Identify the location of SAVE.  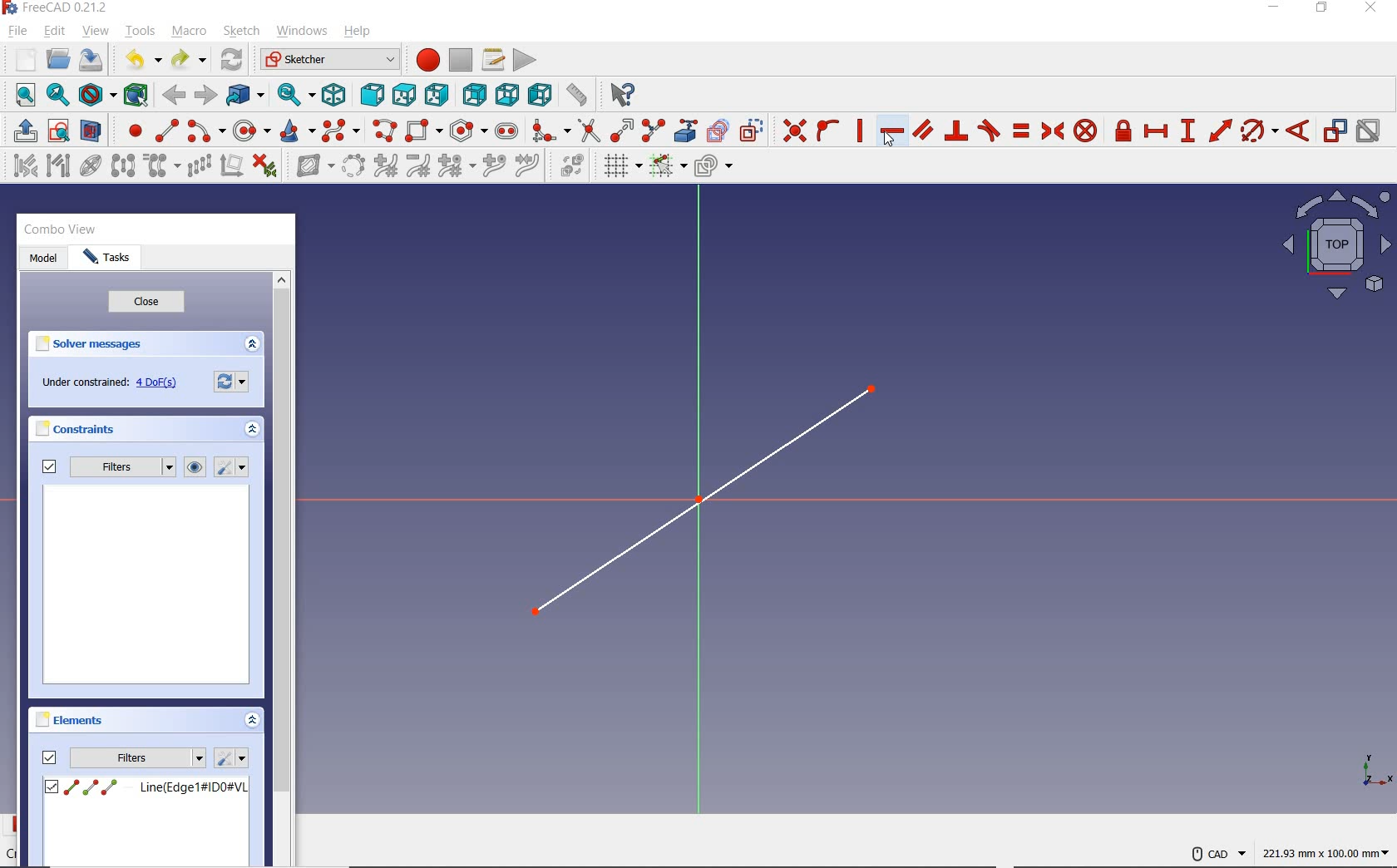
(94, 61).